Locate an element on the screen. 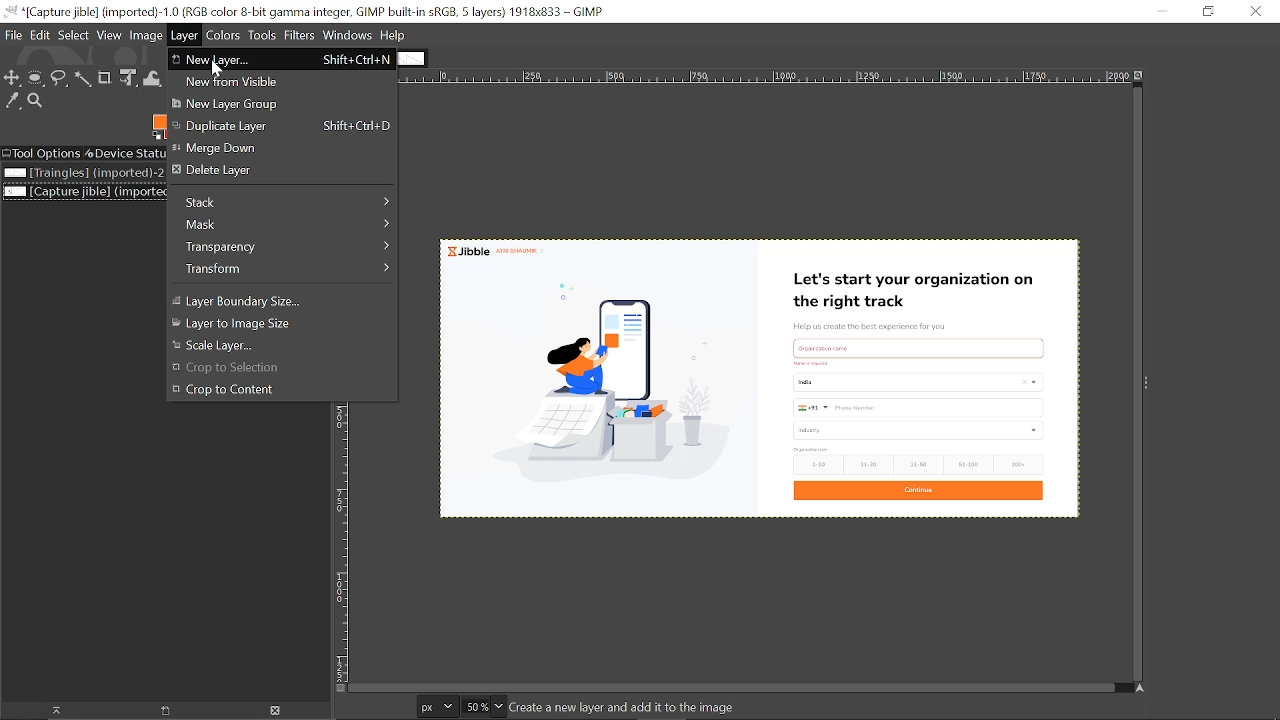  Colors is located at coordinates (223, 35).